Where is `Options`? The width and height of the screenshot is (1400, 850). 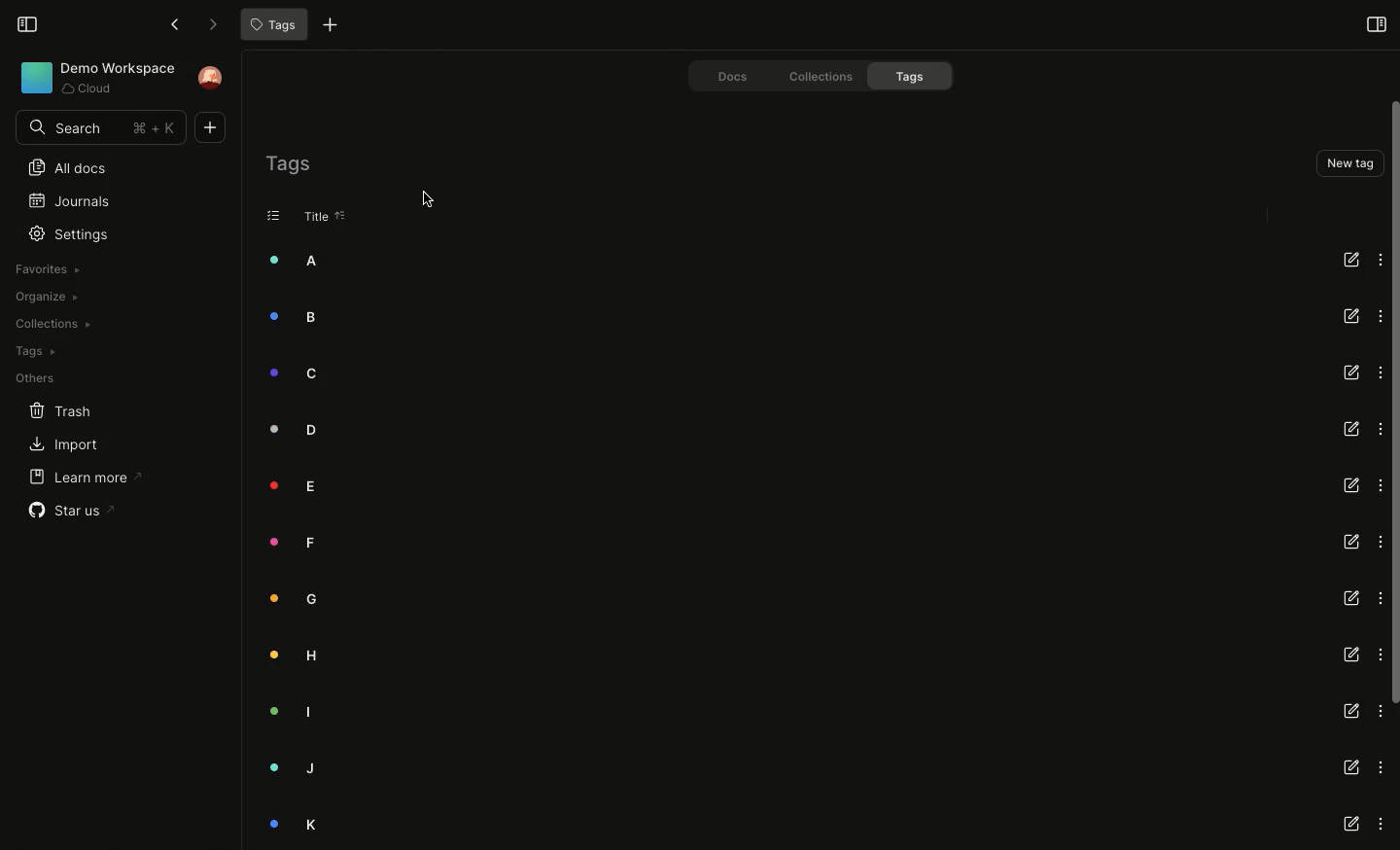 Options is located at coordinates (1381, 767).